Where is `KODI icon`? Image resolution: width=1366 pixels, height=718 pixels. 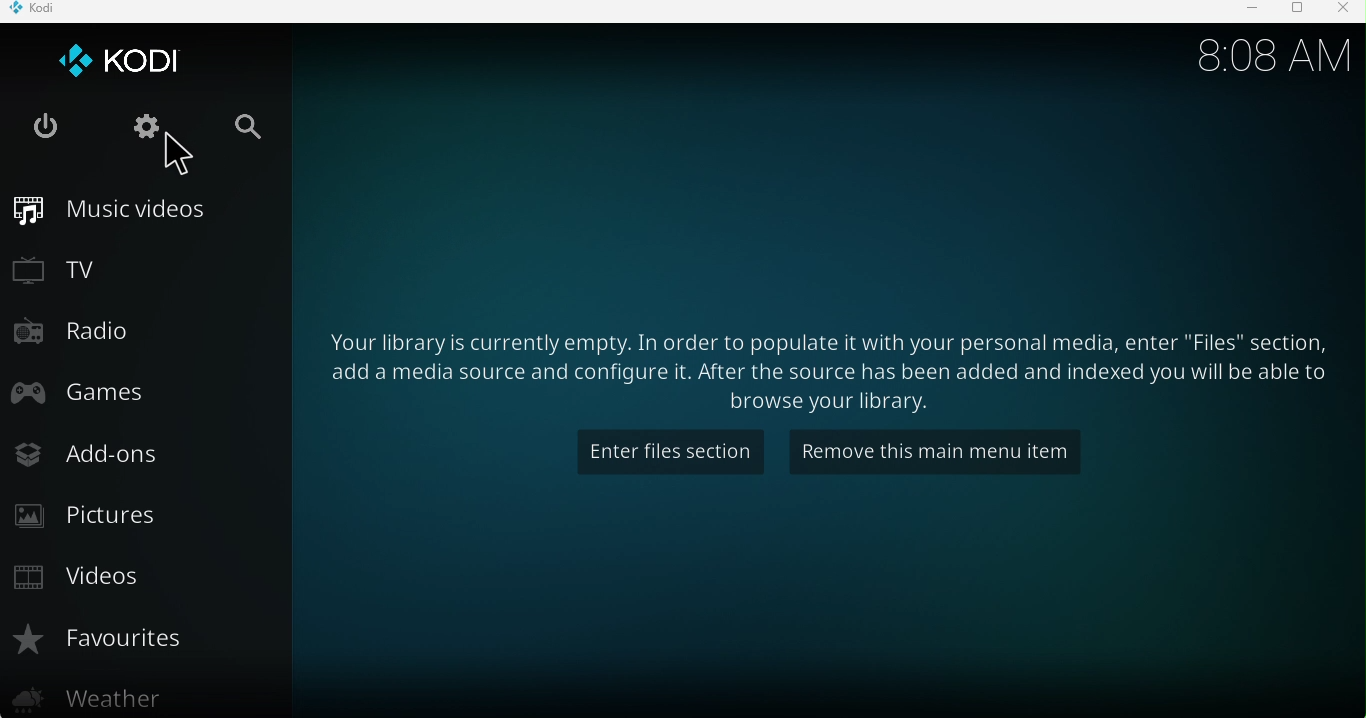
KODI icon is located at coordinates (47, 12).